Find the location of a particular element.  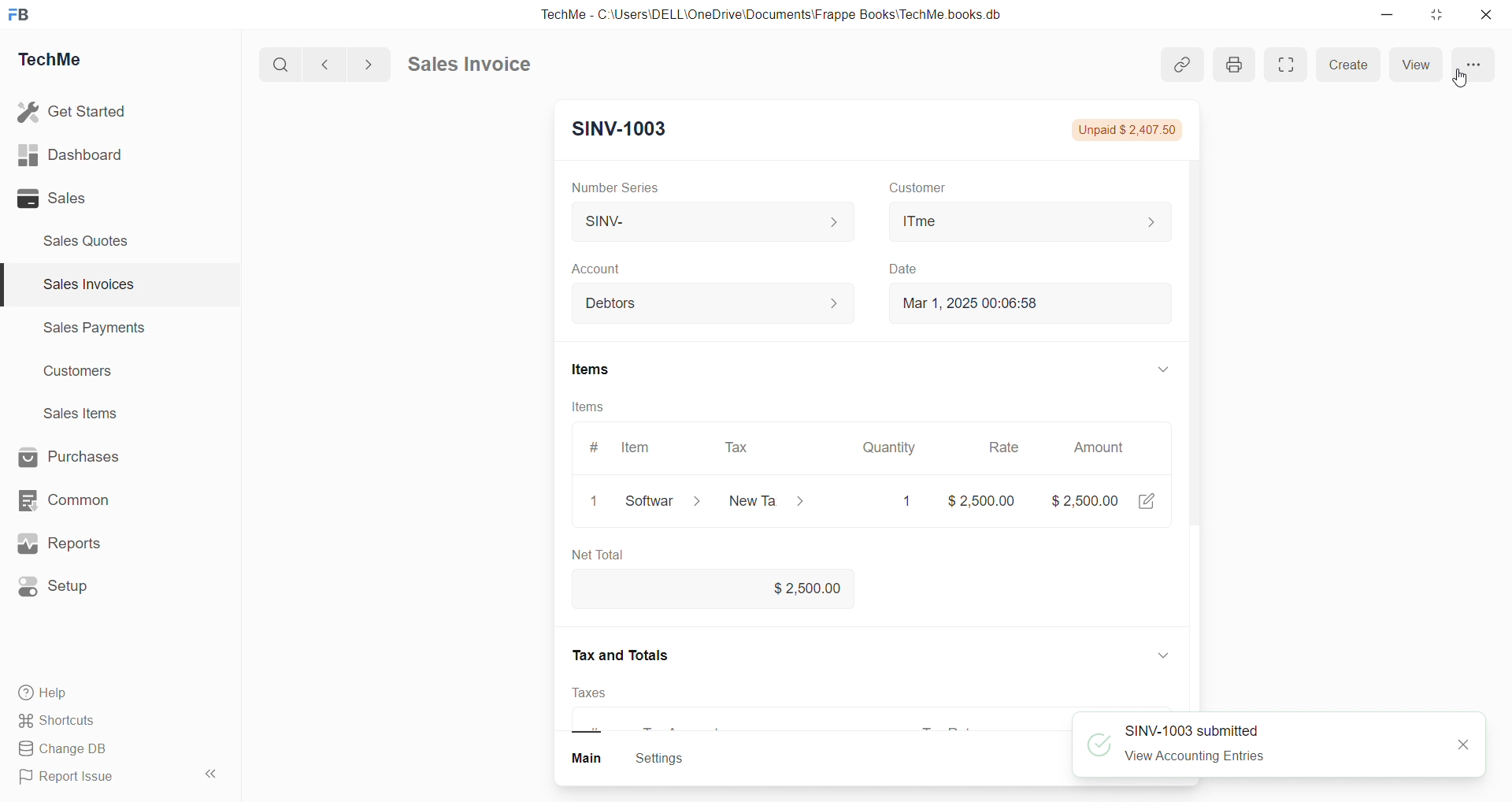

TechMe is located at coordinates (63, 62).